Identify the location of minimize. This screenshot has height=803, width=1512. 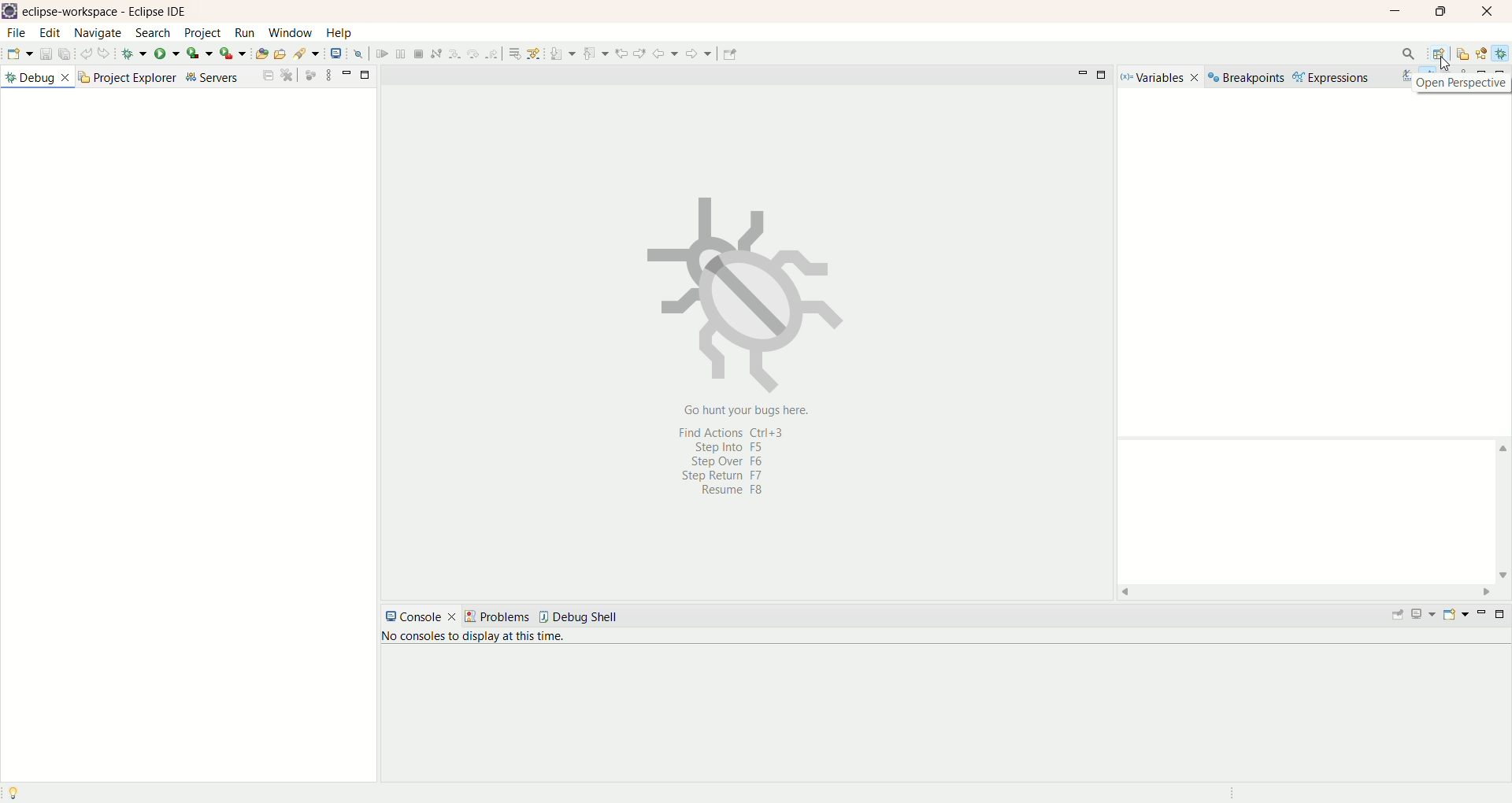
(1401, 13).